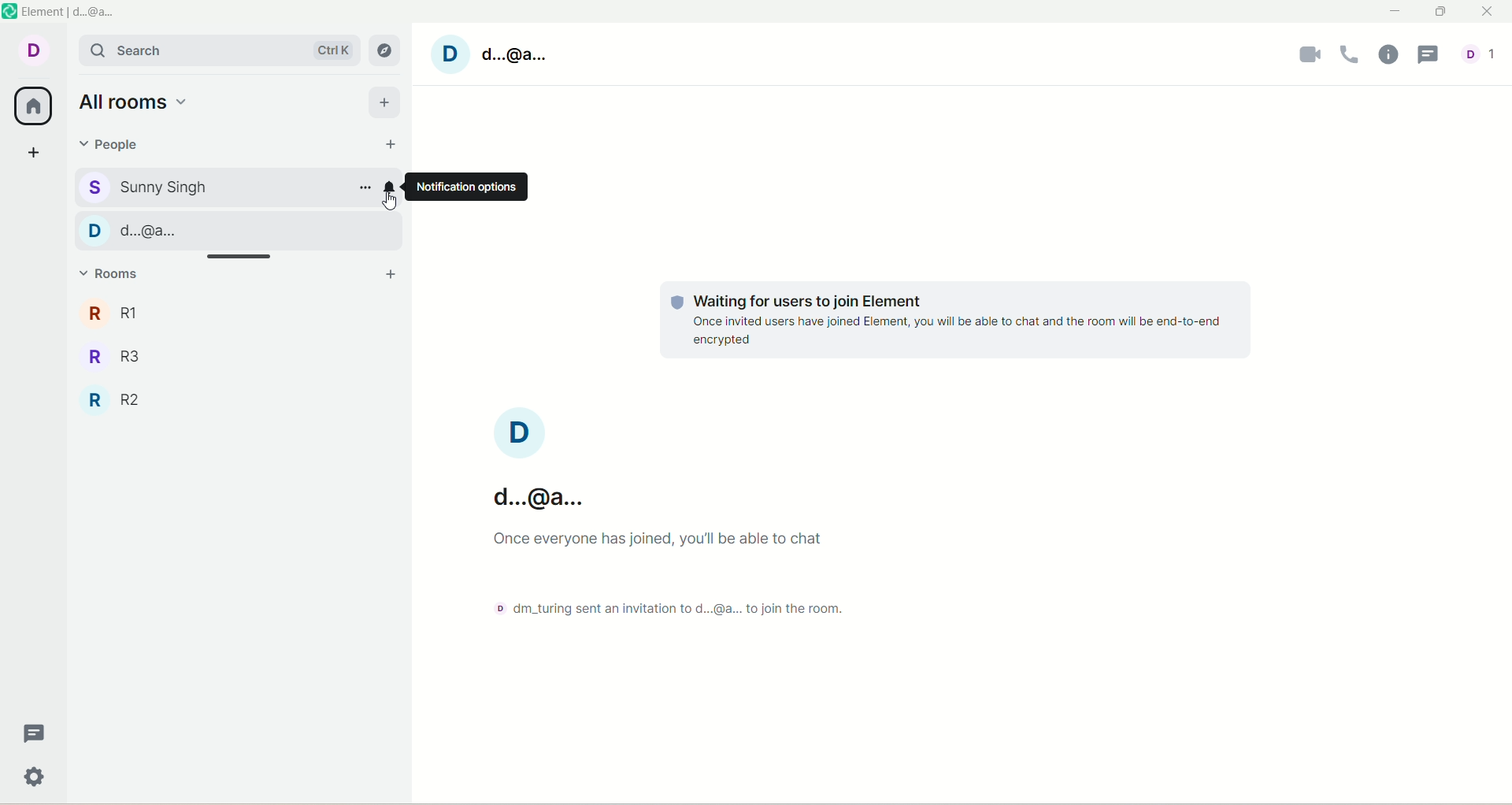 The height and width of the screenshot is (805, 1512). What do you see at coordinates (391, 275) in the screenshot?
I see `add` at bounding box center [391, 275].